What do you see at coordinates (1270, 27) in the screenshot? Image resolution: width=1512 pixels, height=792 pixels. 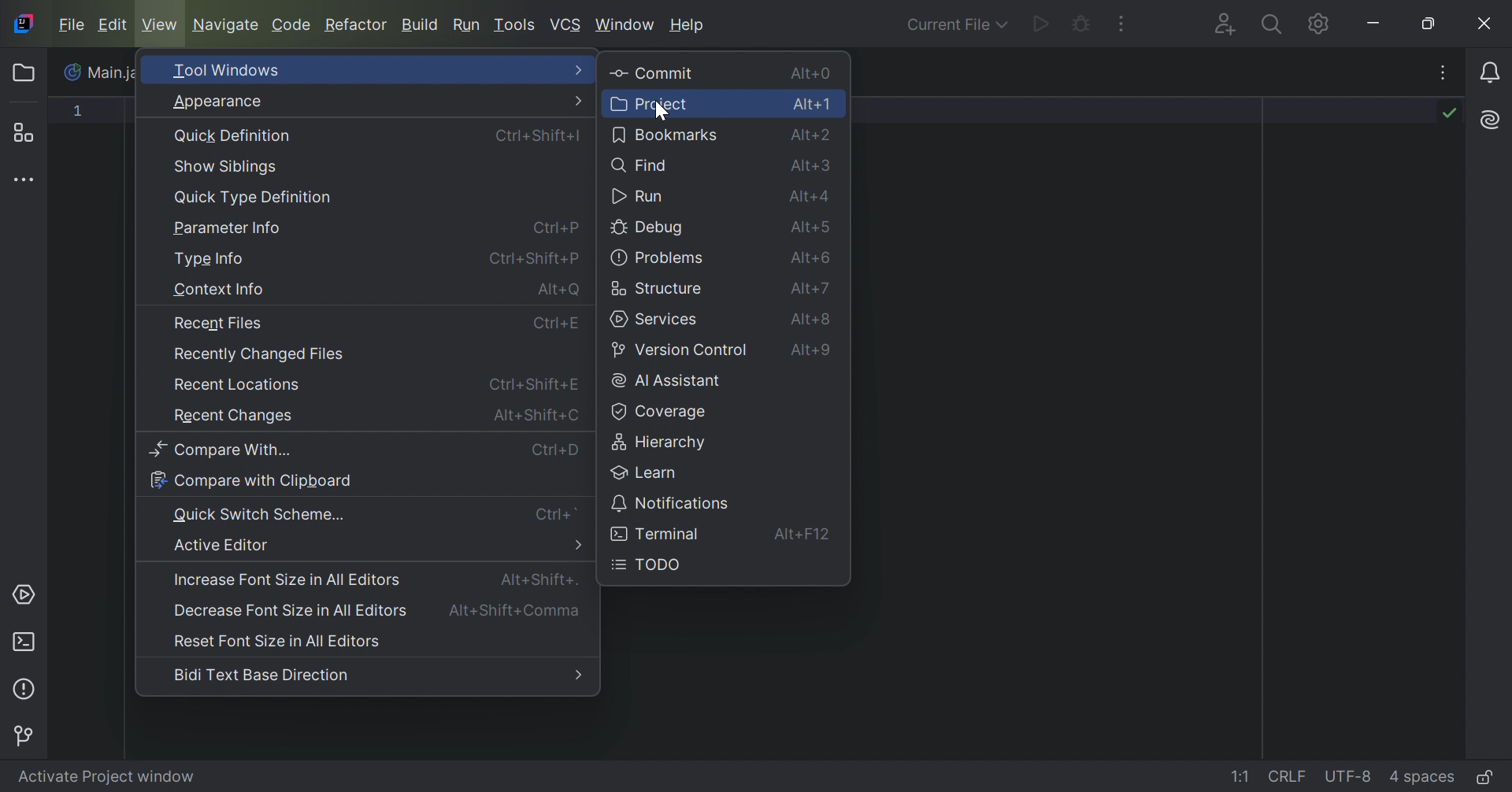 I see `Search everywhere` at bounding box center [1270, 27].